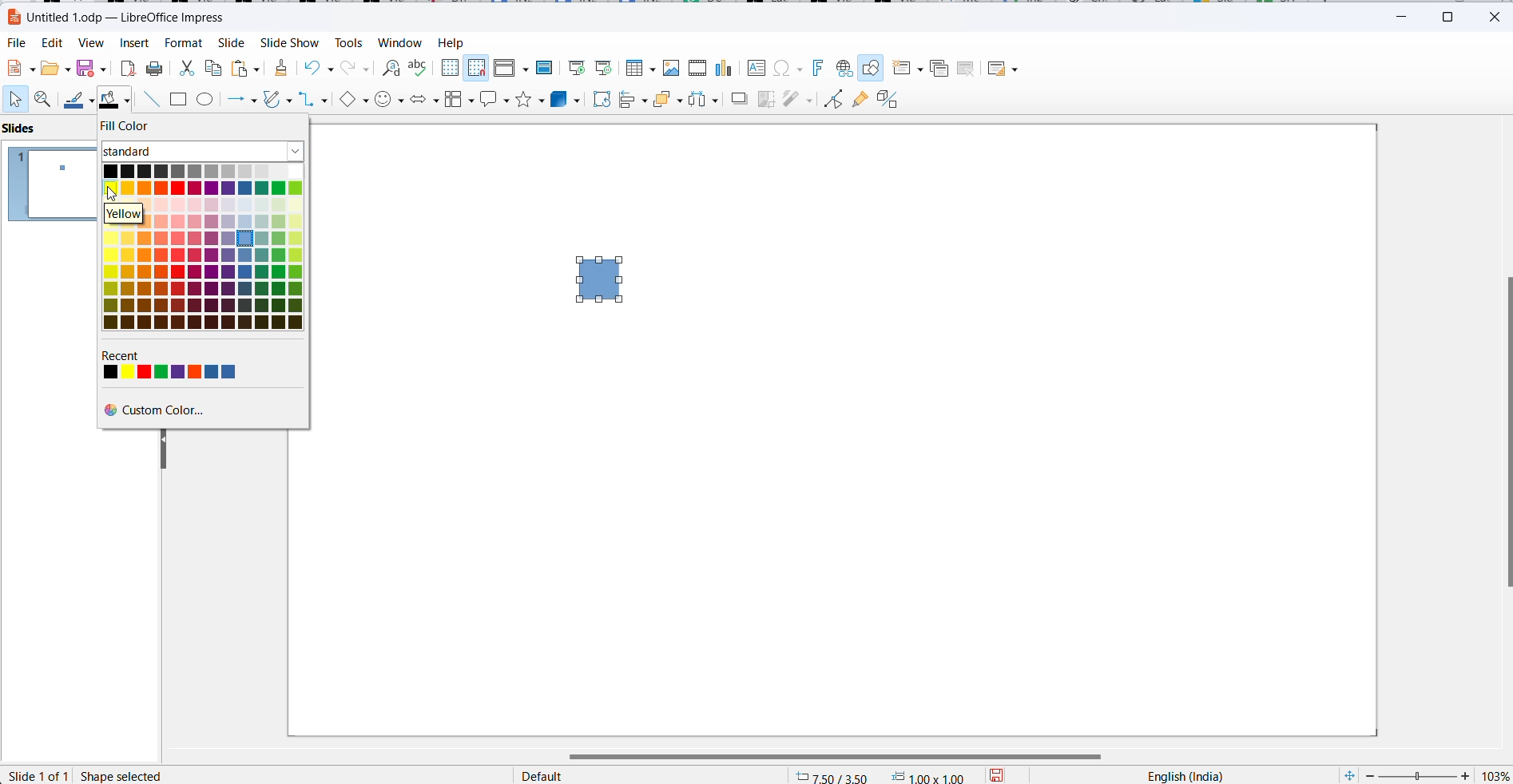 This screenshot has width=1513, height=784. I want to click on copy, so click(215, 69).